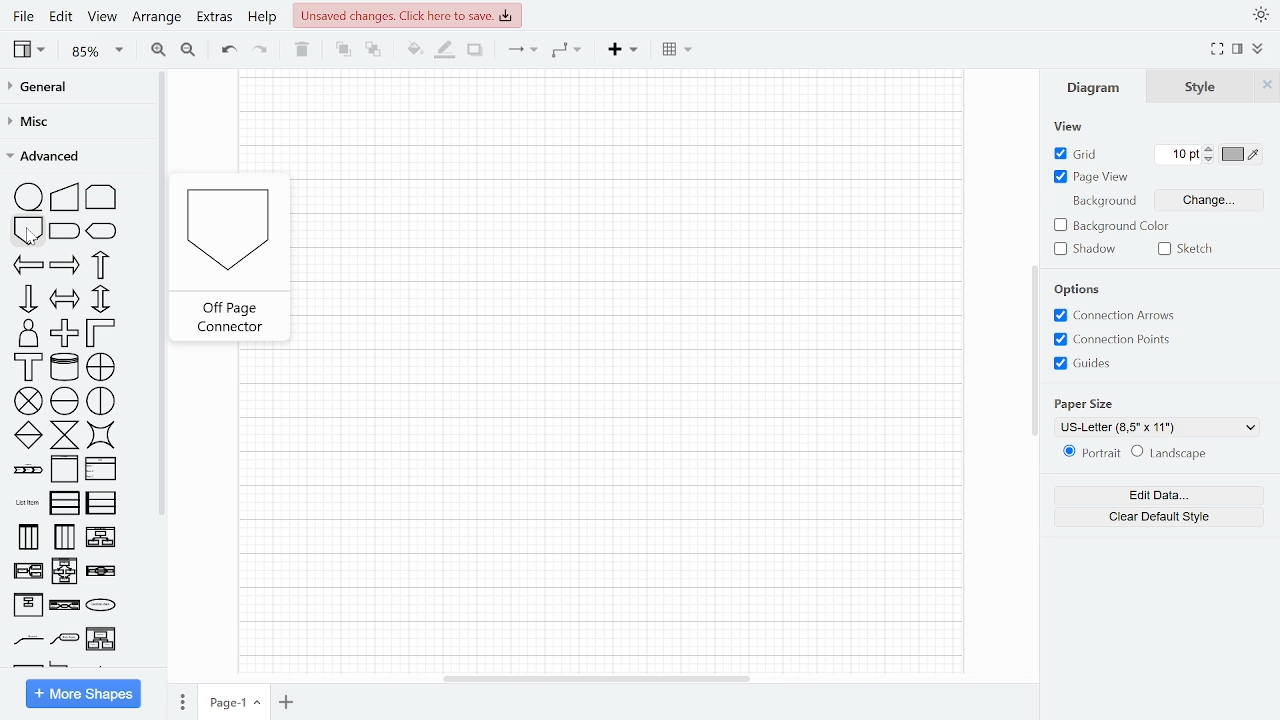 Image resolution: width=1280 pixels, height=720 pixels. What do you see at coordinates (65, 401) in the screenshot?
I see `ellipse with horizontal connector` at bounding box center [65, 401].